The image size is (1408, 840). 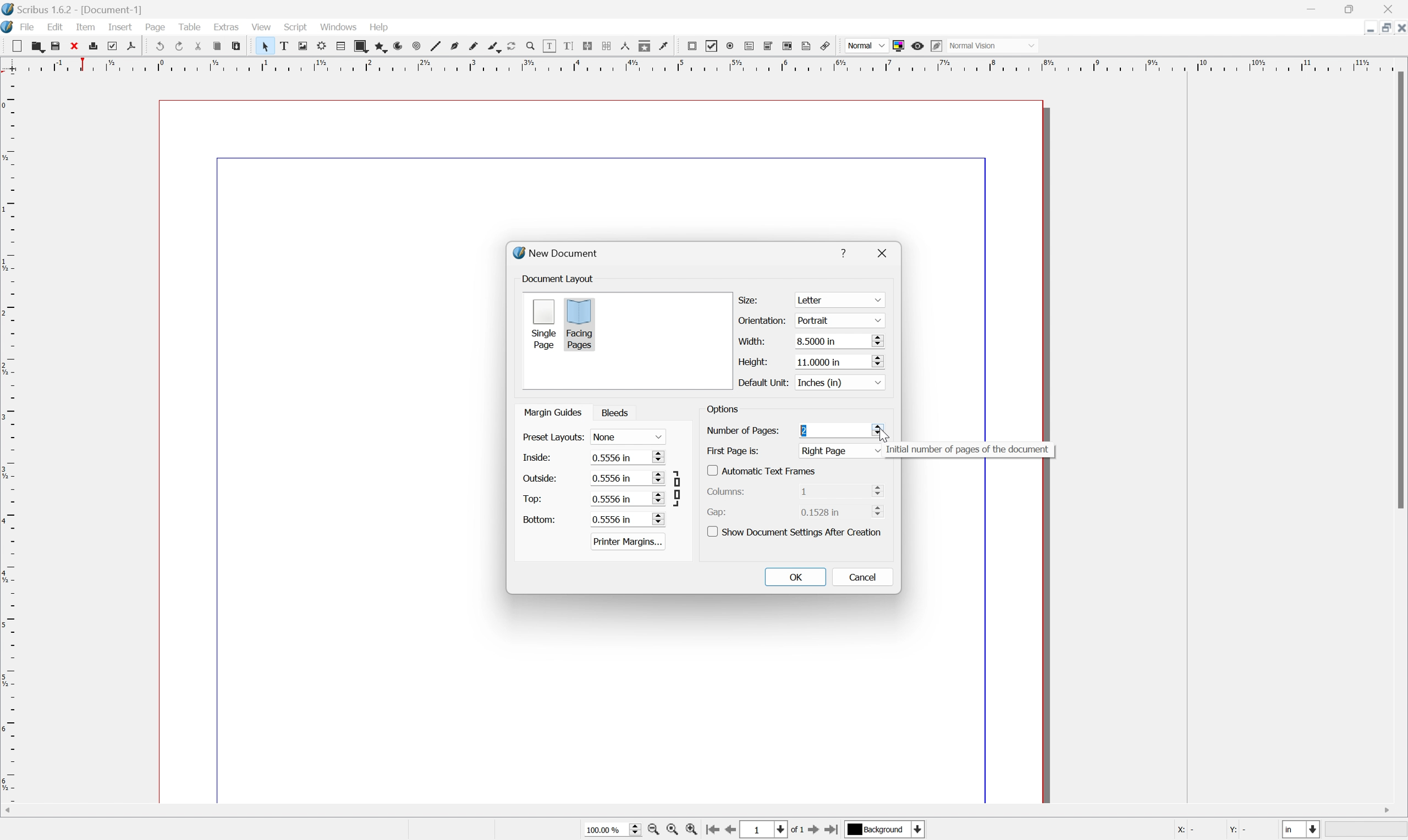 What do you see at coordinates (136, 46) in the screenshot?
I see `Save as PDF` at bounding box center [136, 46].